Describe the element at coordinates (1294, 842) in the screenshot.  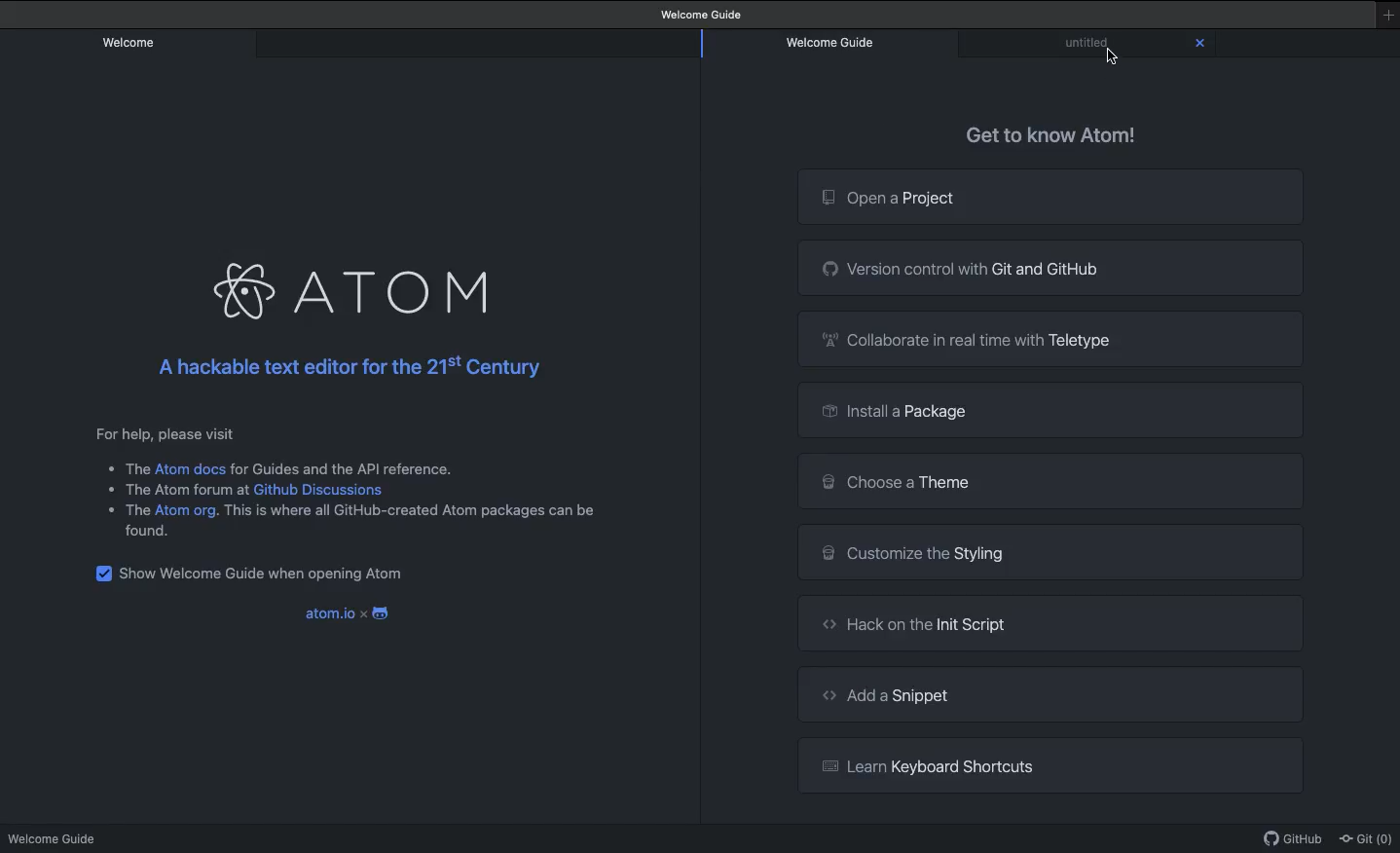
I see `GitHub` at that location.